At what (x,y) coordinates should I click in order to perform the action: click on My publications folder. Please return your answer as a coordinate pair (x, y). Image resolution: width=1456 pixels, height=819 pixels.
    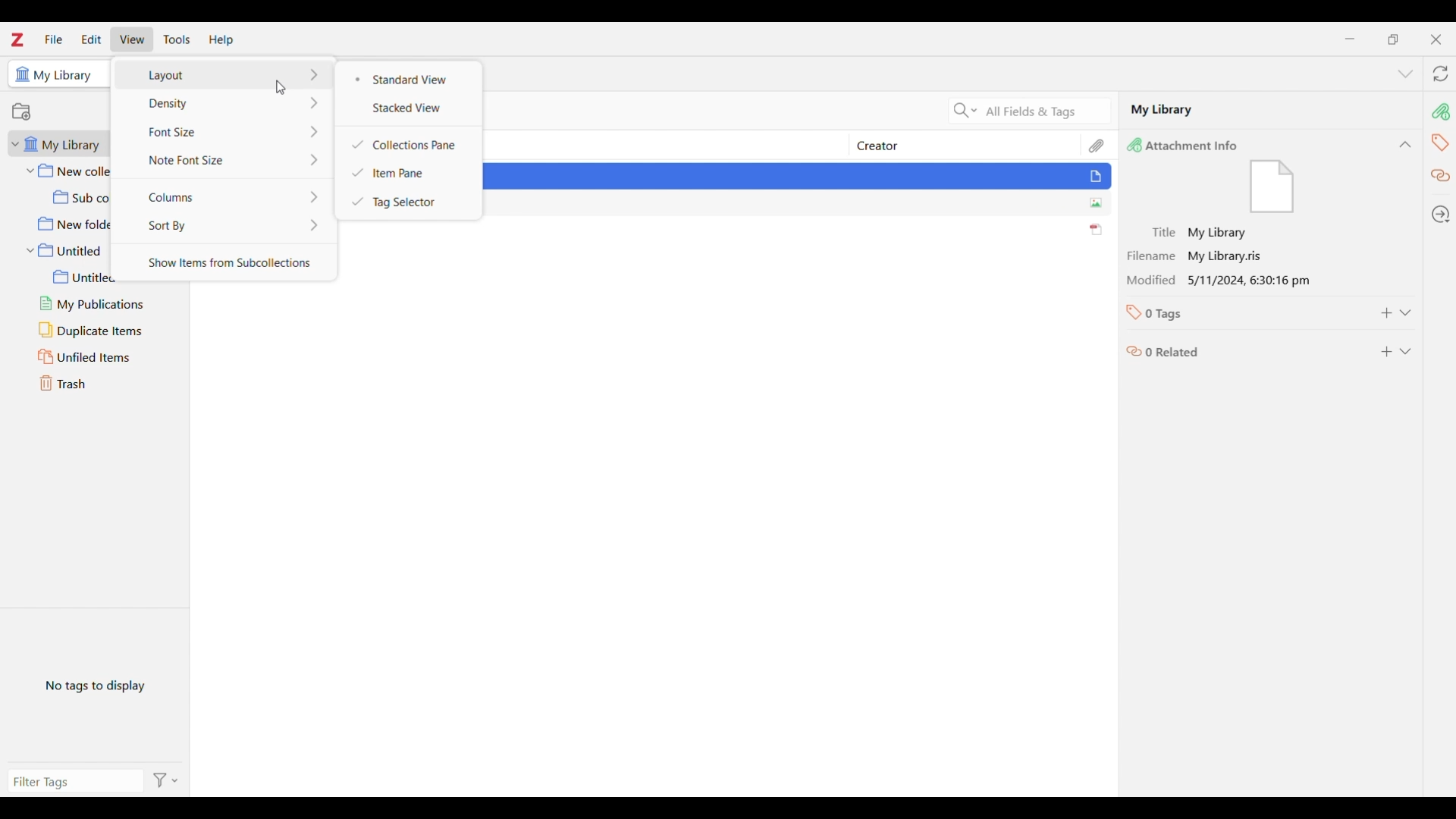
    Looking at the image, I should click on (102, 304).